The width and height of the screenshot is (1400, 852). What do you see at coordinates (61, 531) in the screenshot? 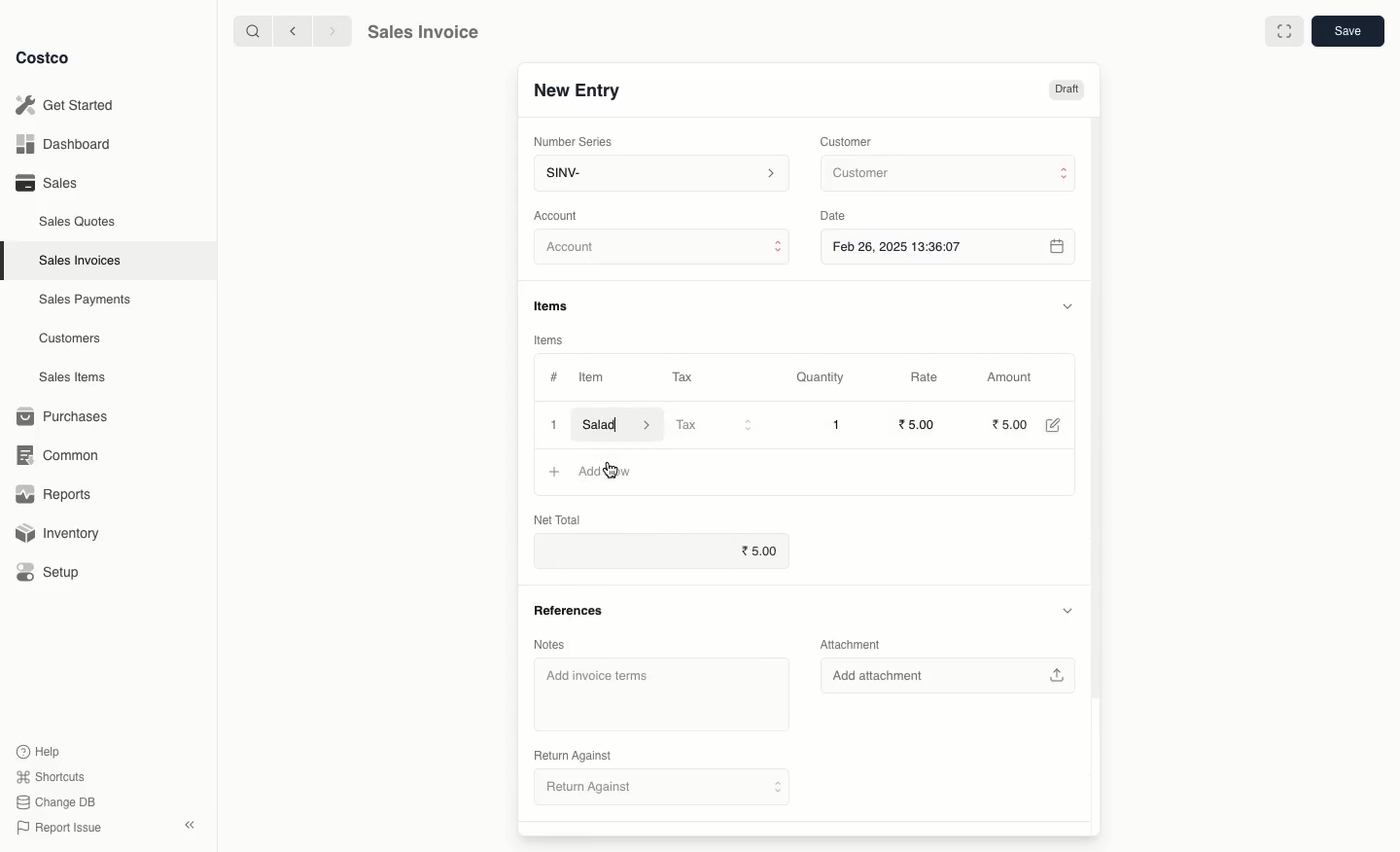
I see `Inventory` at bounding box center [61, 531].